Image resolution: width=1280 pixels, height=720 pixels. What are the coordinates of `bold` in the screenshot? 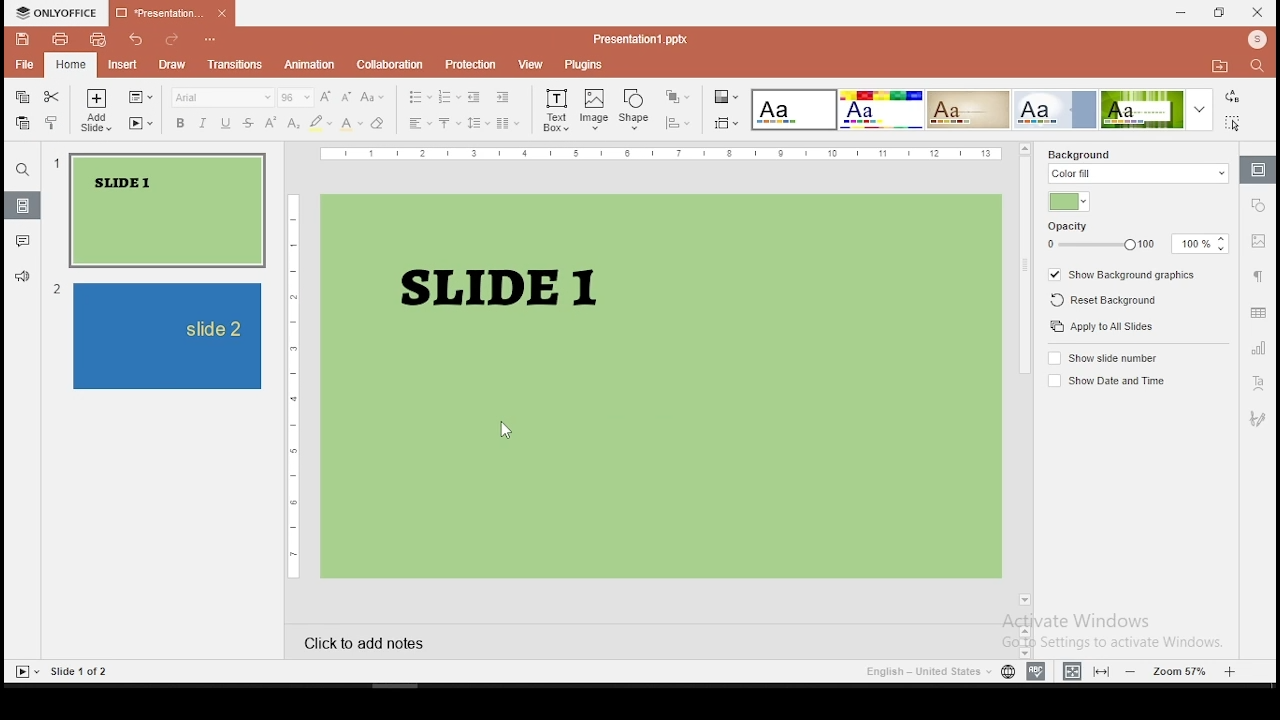 It's located at (181, 123).